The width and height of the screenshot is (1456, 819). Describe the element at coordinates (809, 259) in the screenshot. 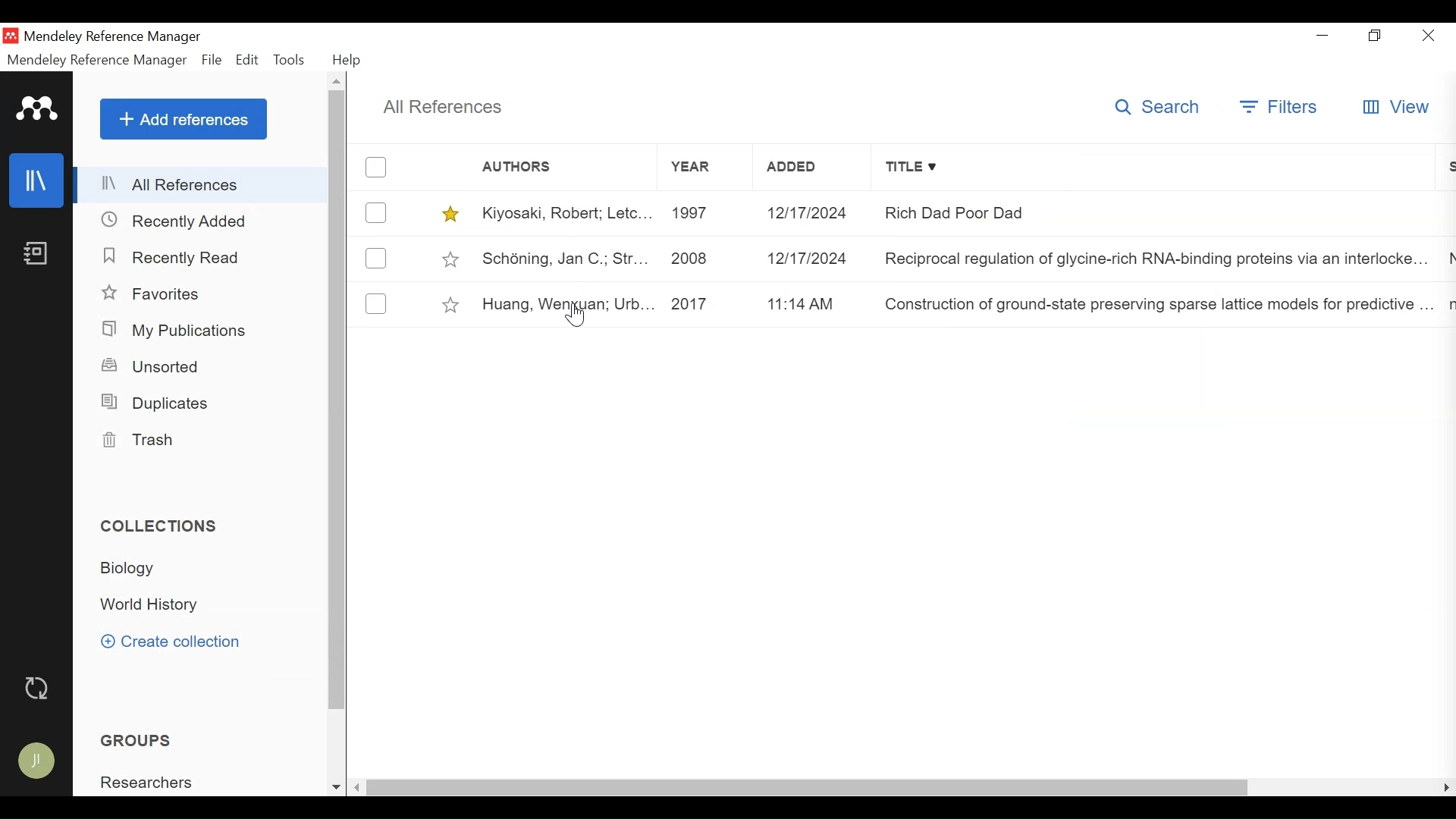

I see `12/17/2024` at that location.